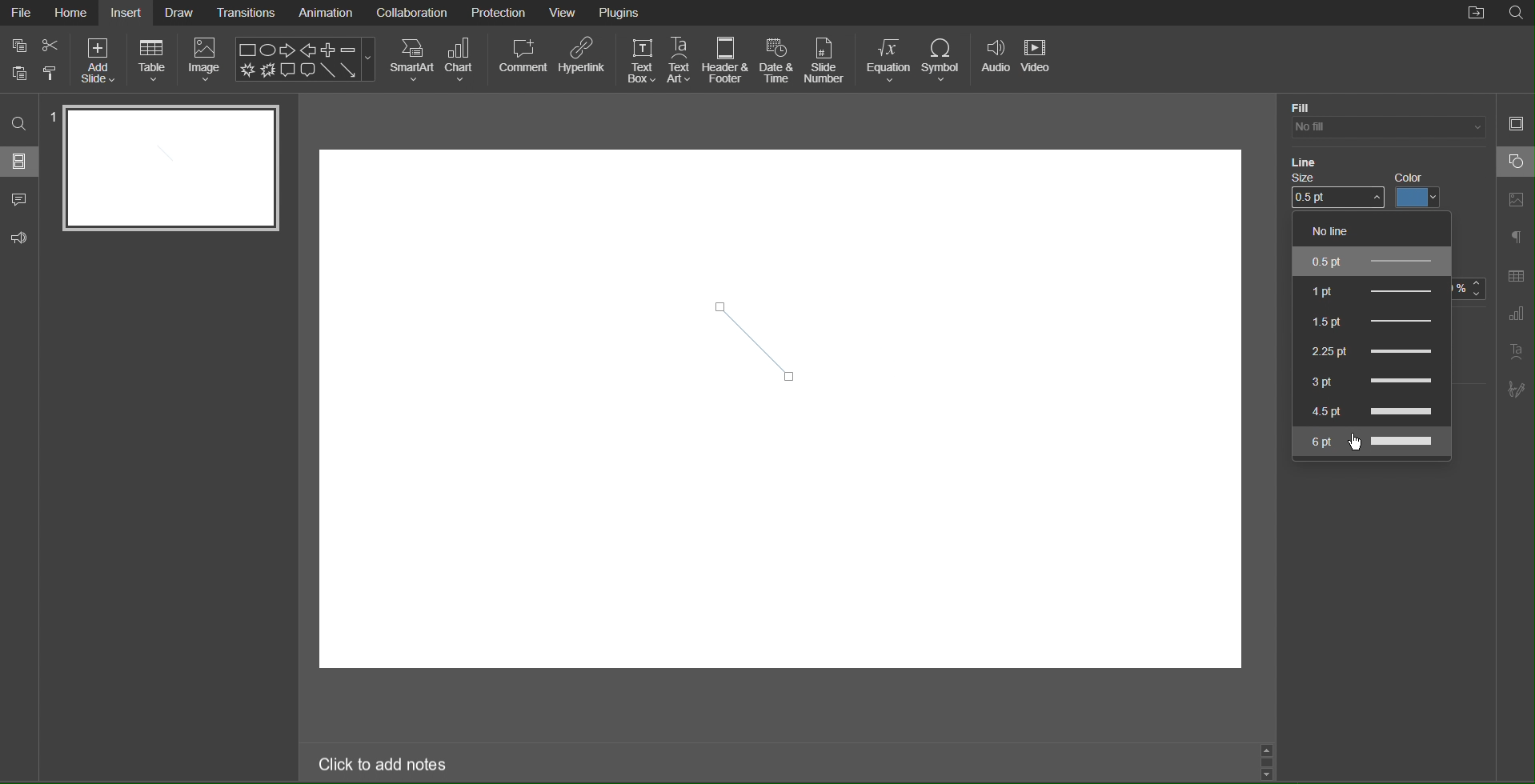 Image resolution: width=1535 pixels, height=784 pixels. What do you see at coordinates (1368, 347) in the screenshot?
I see `2.25 pt` at bounding box center [1368, 347].